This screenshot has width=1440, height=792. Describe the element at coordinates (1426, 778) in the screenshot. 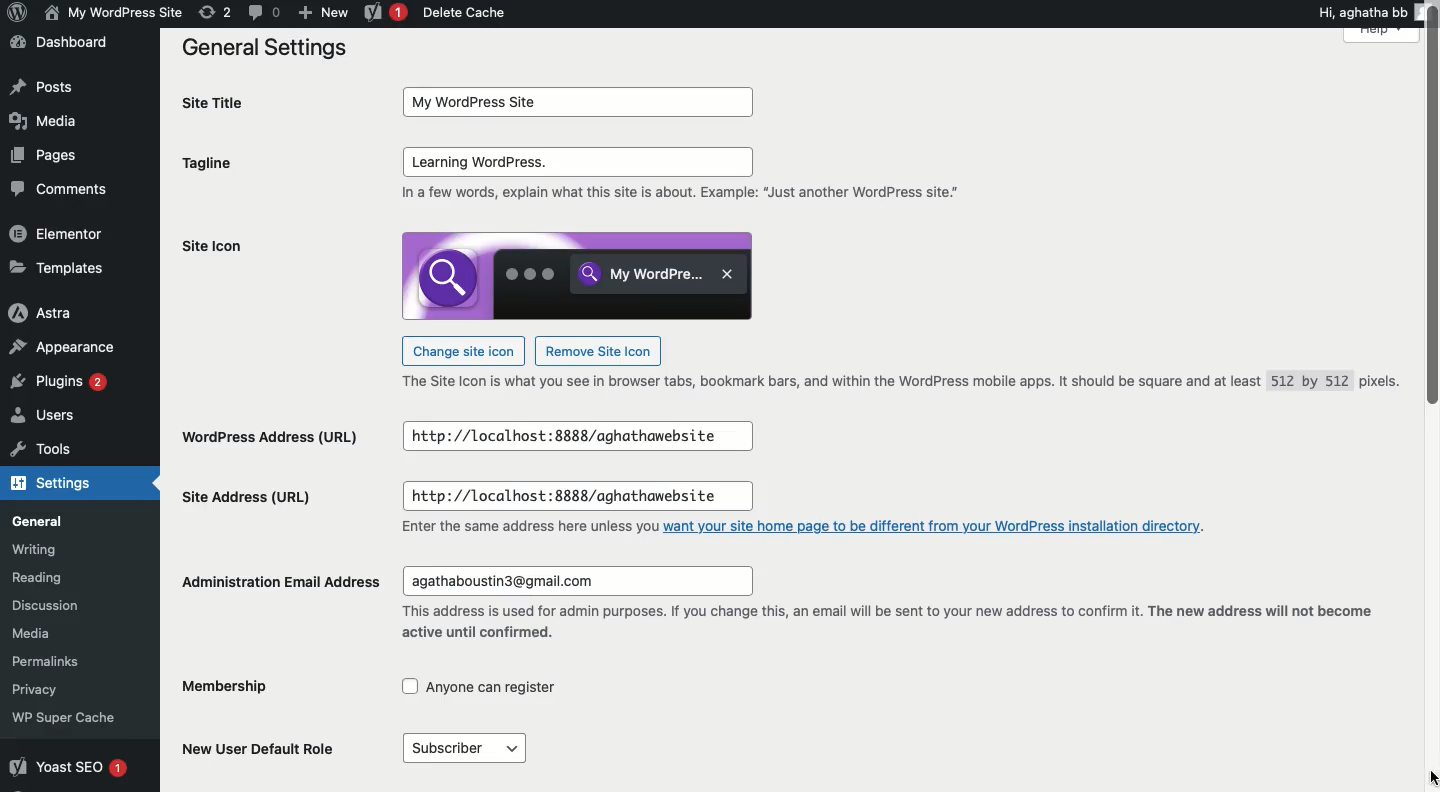

I see `cursor` at that location.